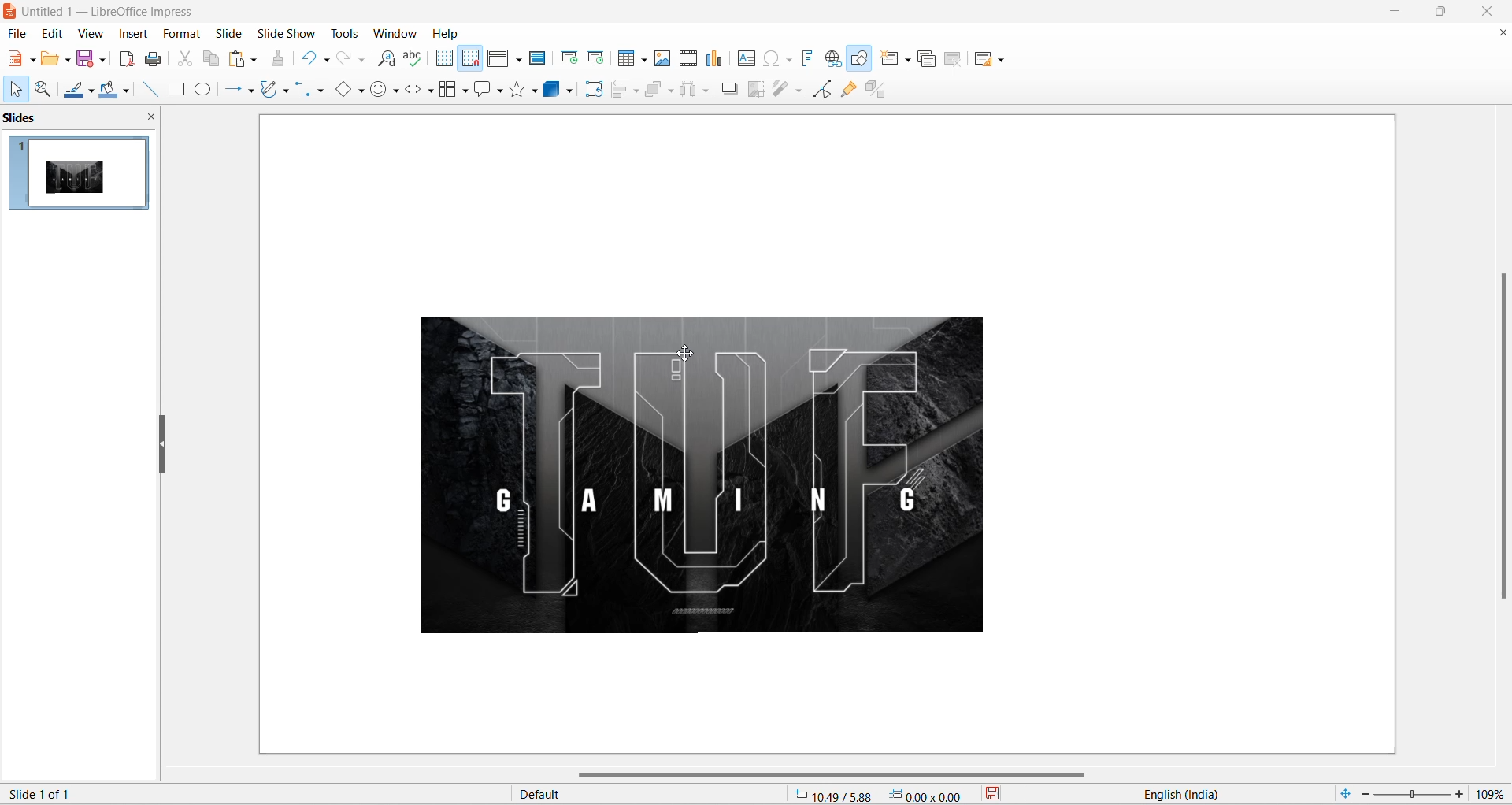  I want to click on line color, so click(73, 91).